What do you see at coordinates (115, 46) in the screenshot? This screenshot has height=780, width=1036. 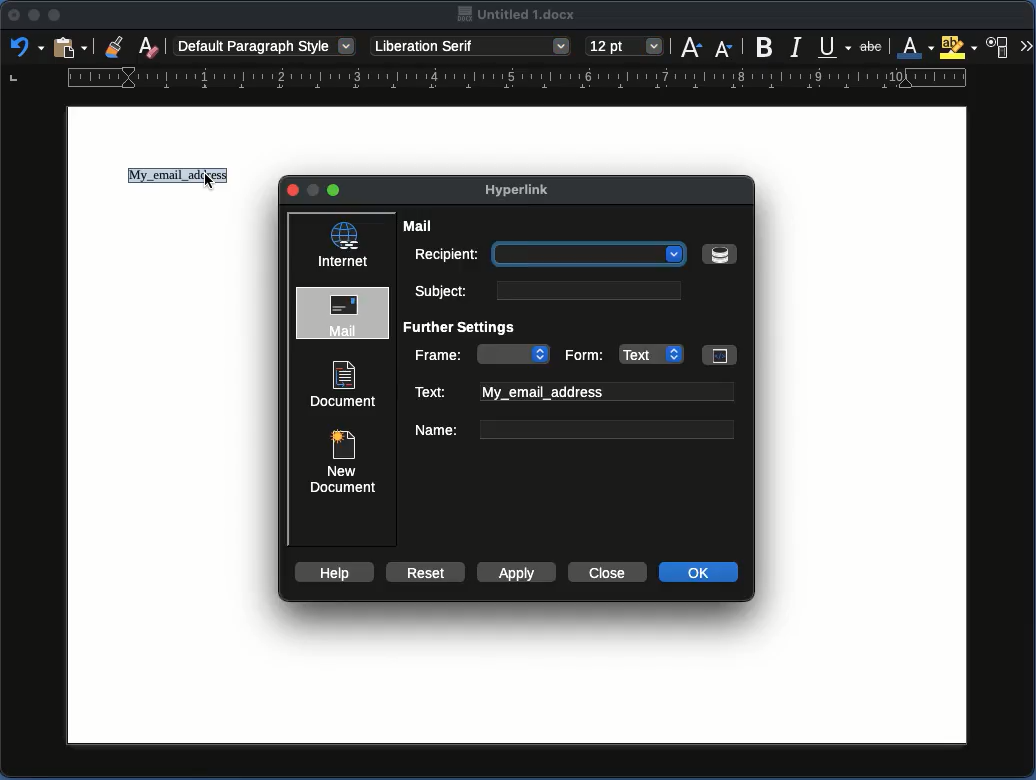 I see `Clone formatting` at bounding box center [115, 46].